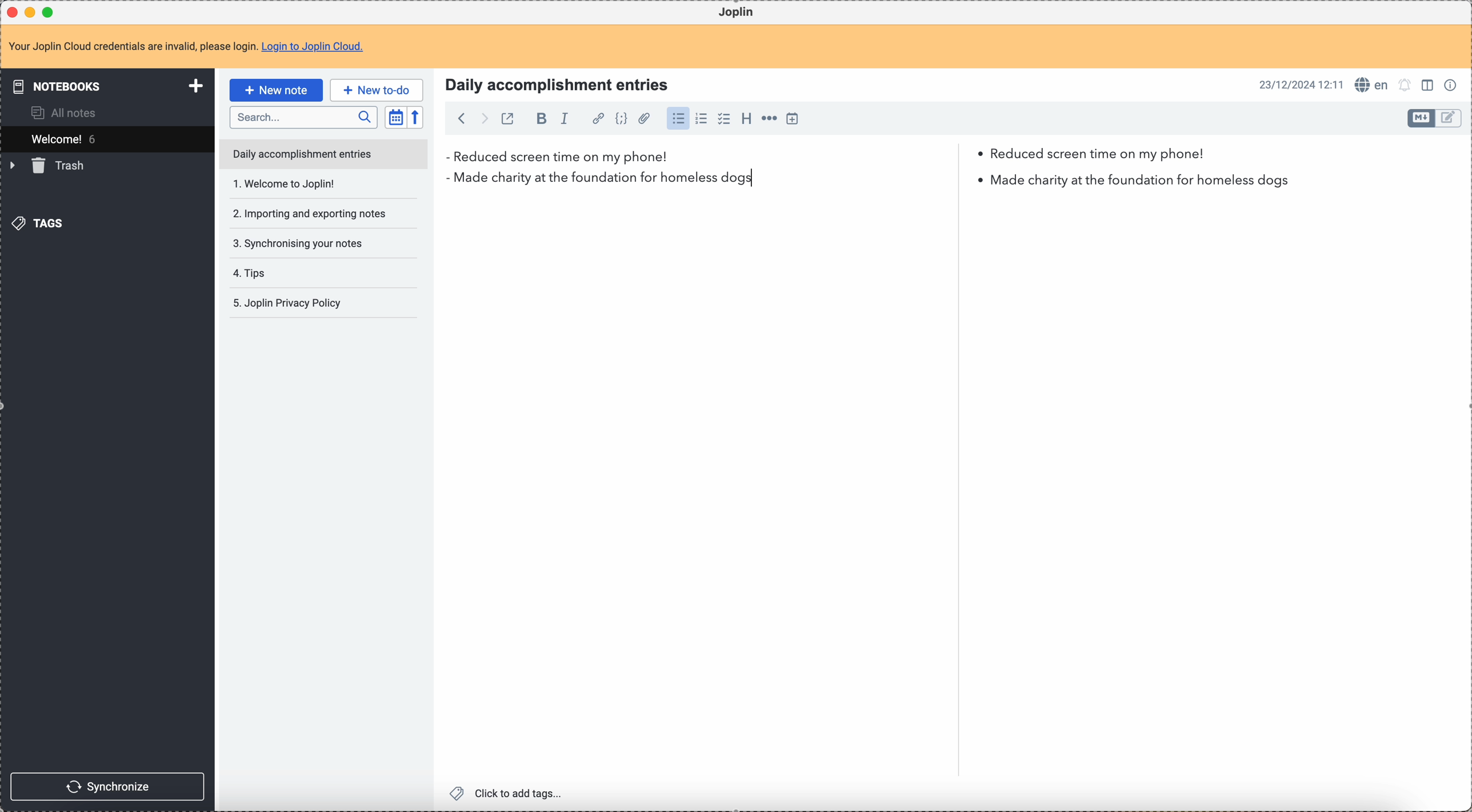  Describe the element at coordinates (286, 273) in the screenshot. I see `Joplin privacy policy` at that location.